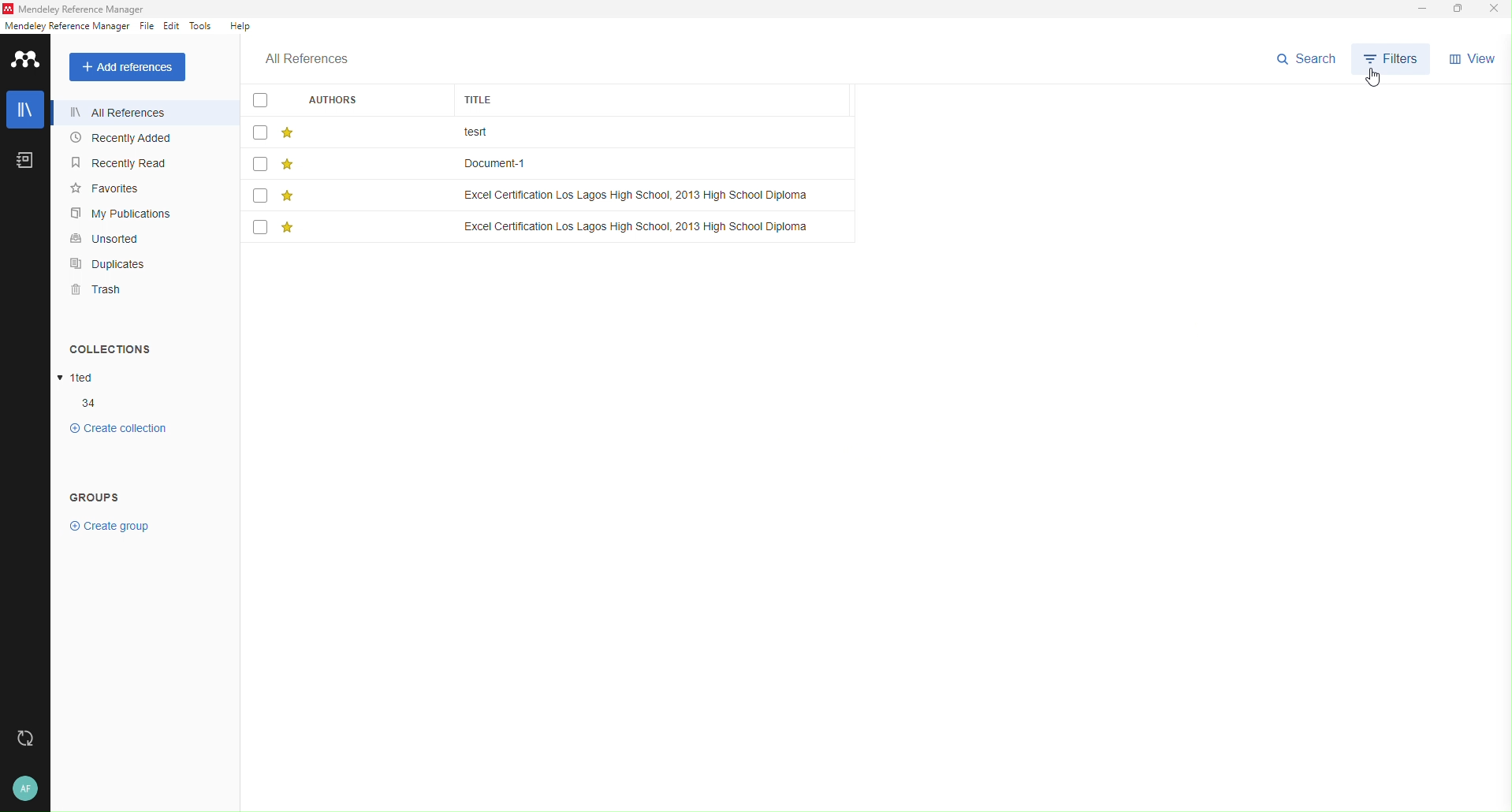 The width and height of the screenshot is (1512, 812). What do you see at coordinates (127, 265) in the screenshot?
I see `Duplicates` at bounding box center [127, 265].